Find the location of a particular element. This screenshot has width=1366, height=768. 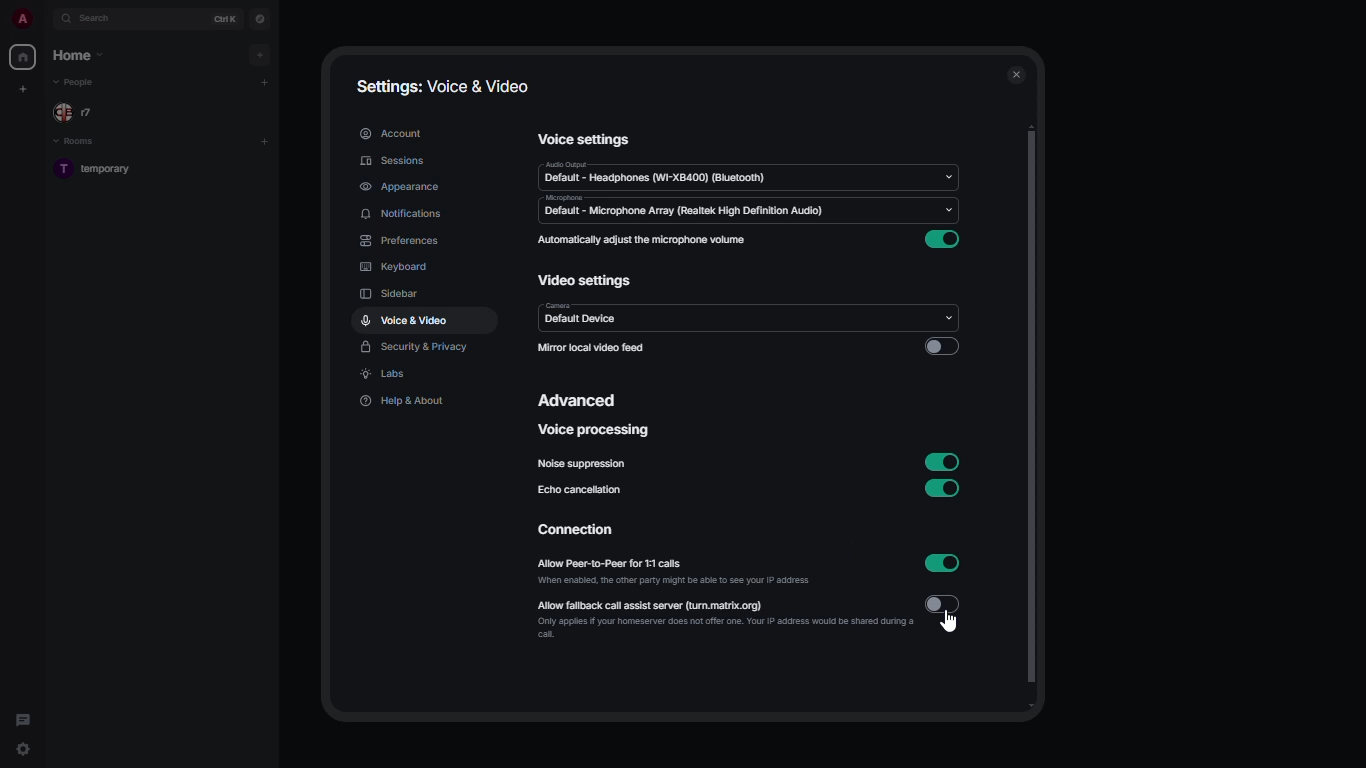

drop down is located at coordinates (949, 315).